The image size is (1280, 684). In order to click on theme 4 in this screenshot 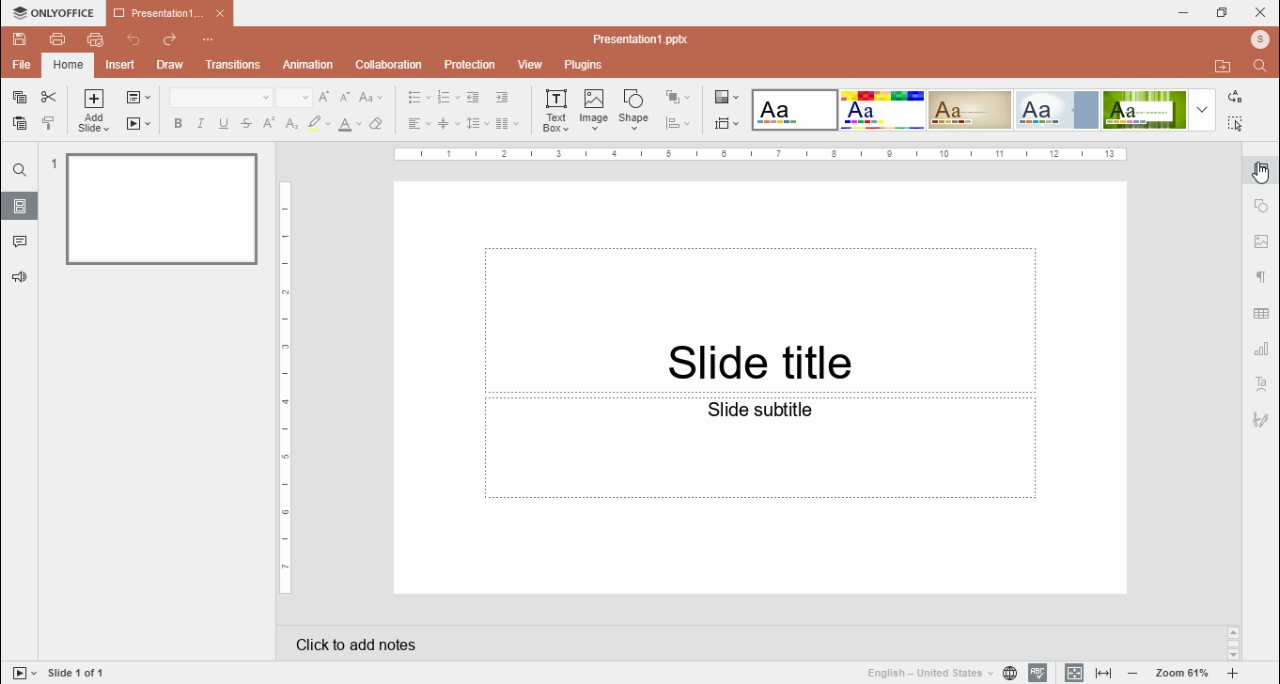, I will do `click(1056, 111)`.